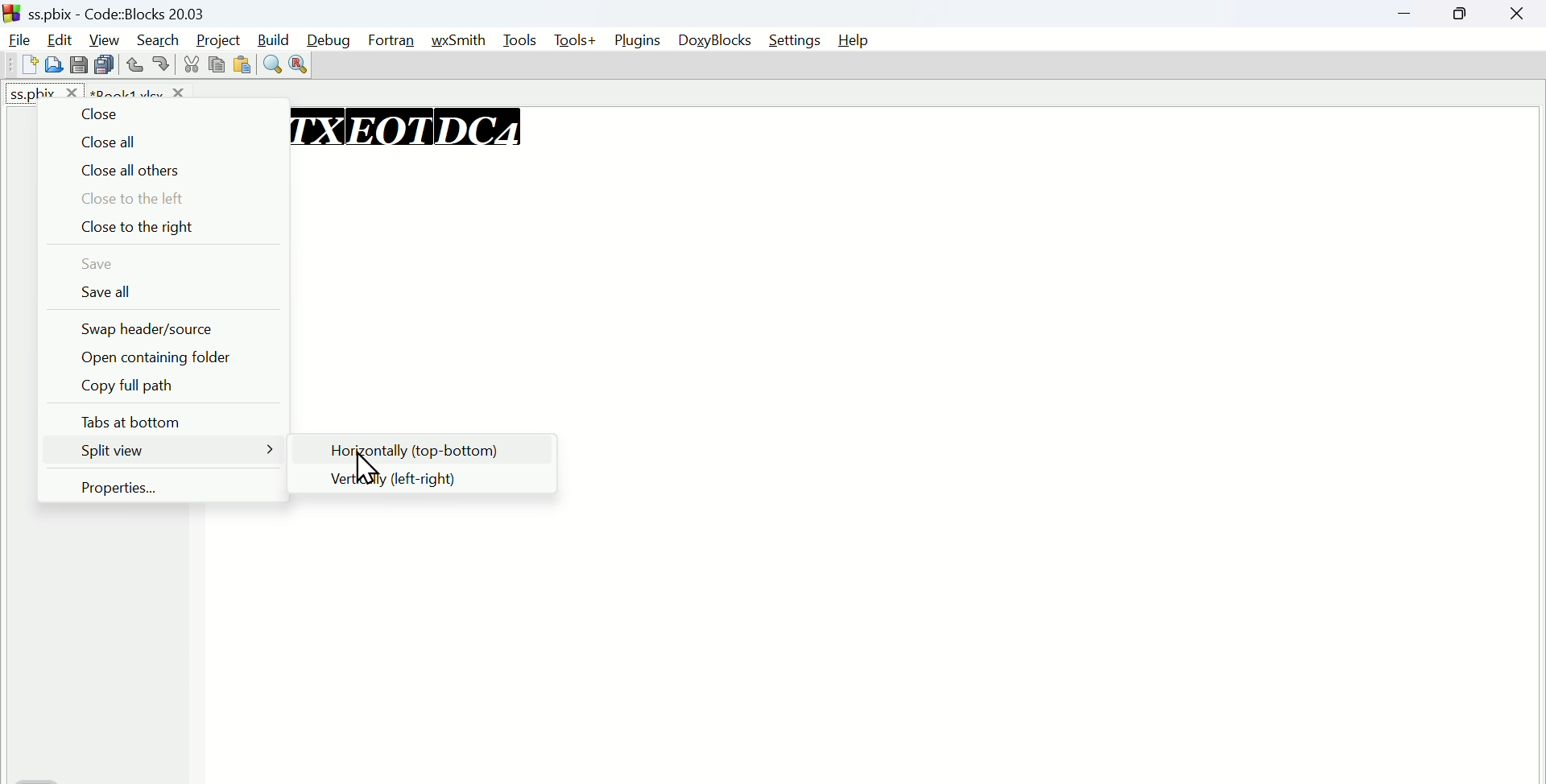 The width and height of the screenshot is (1546, 784). I want to click on WX Smith, so click(465, 38).